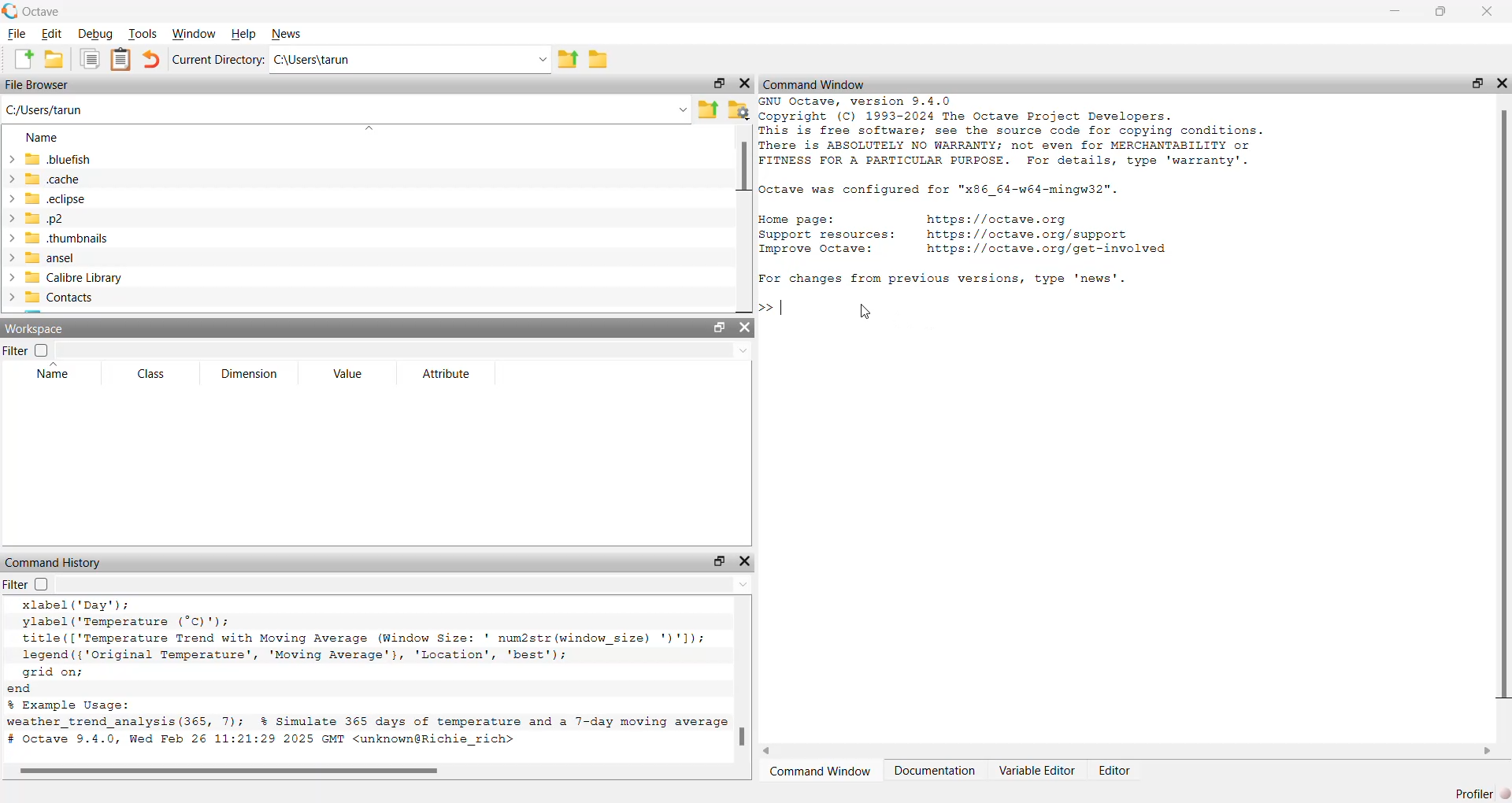 This screenshot has width=1512, height=803. Describe the element at coordinates (1399, 12) in the screenshot. I see `minimise` at that location.